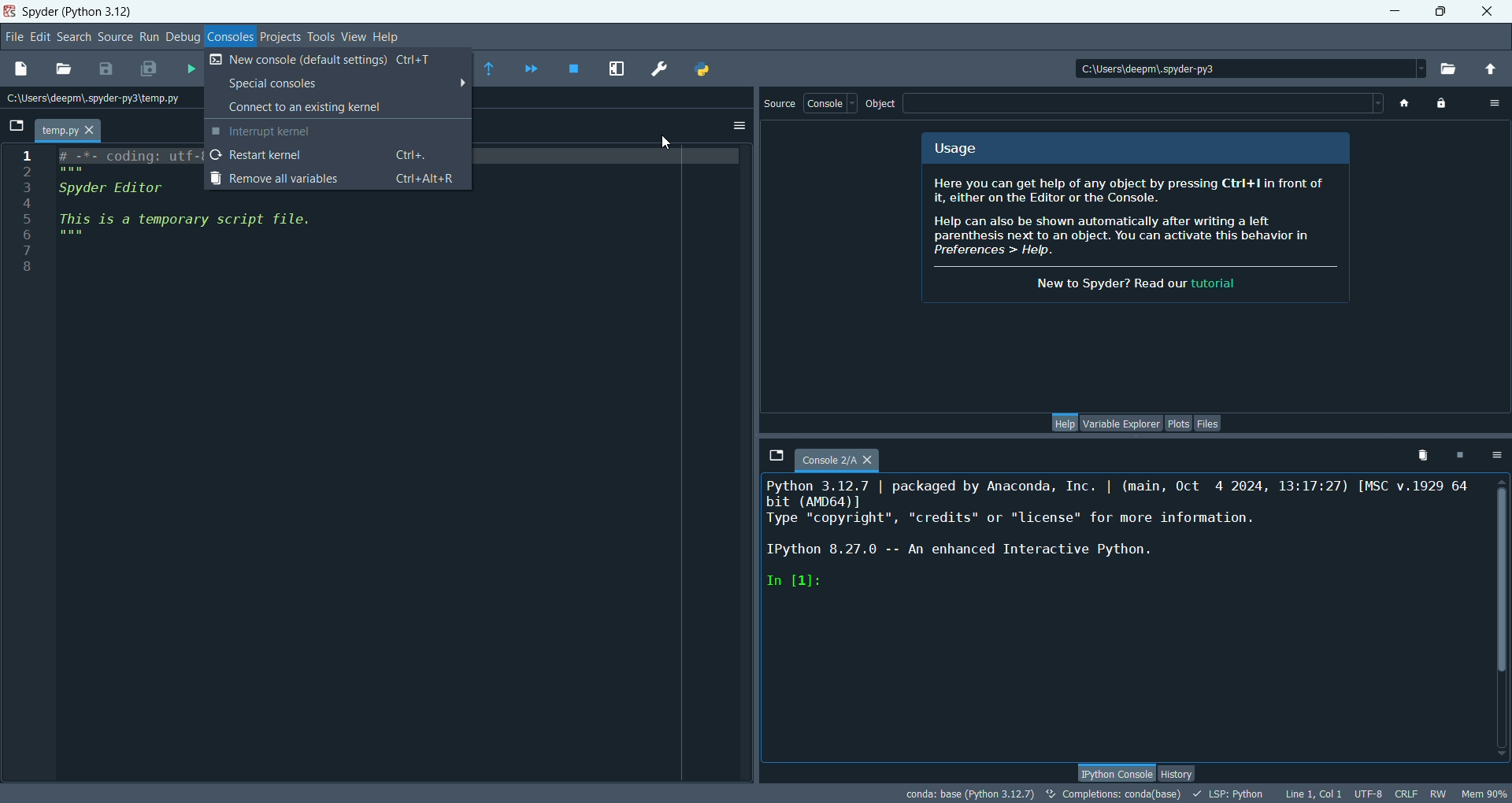 This screenshot has width=1512, height=803. I want to click on completions, so click(1113, 794).